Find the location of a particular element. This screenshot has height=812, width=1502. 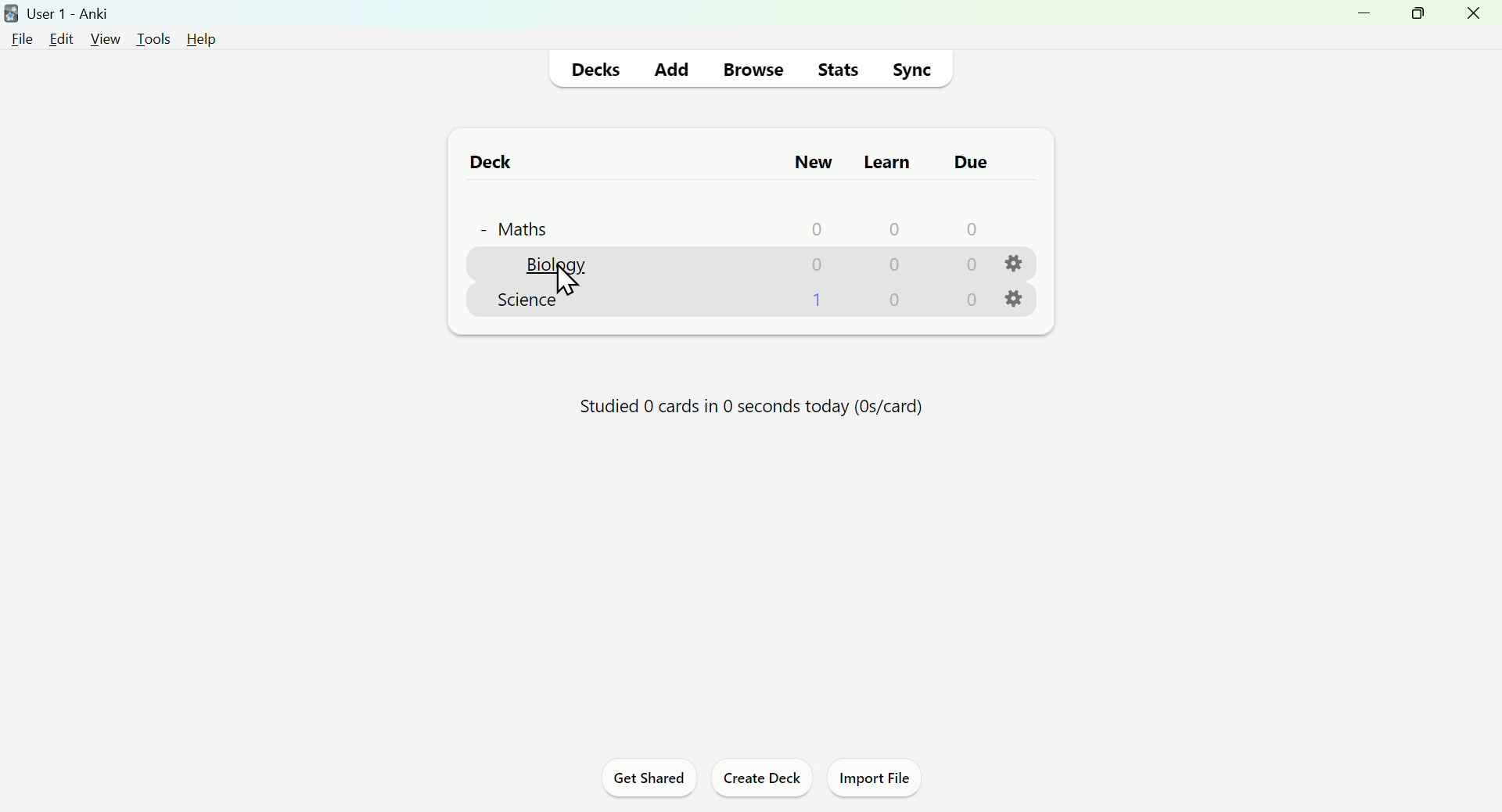

0 is located at coordinates (815, 267).